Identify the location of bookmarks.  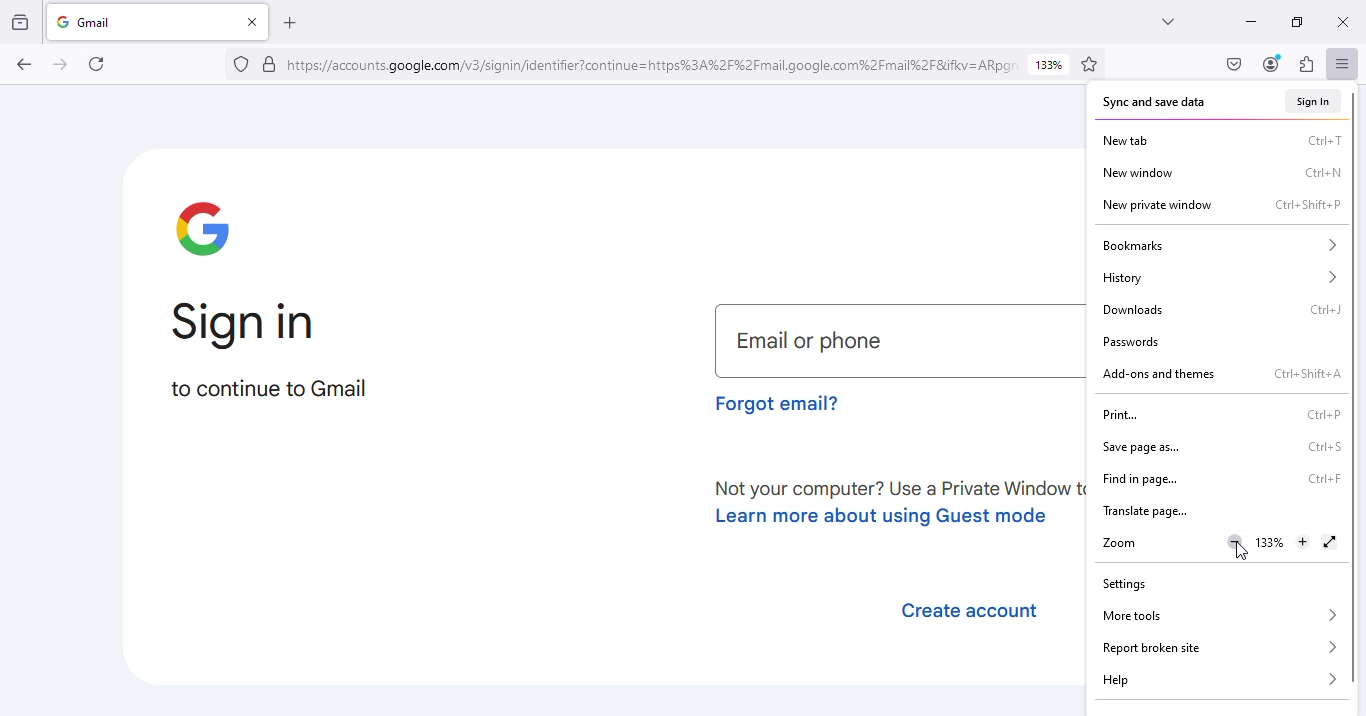
(1219, 246).